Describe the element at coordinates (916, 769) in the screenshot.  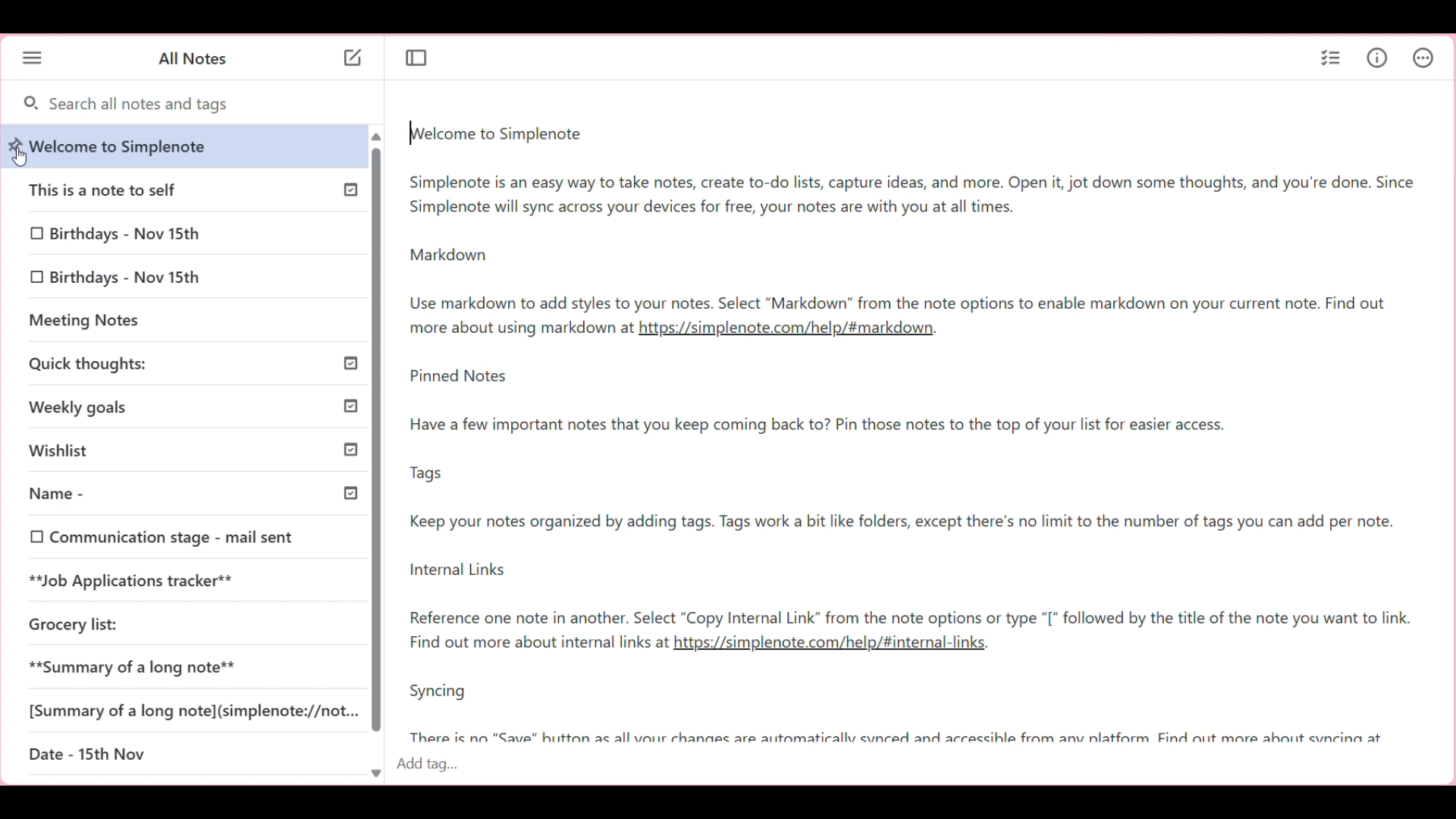
I see `click to type in tags` at that location.